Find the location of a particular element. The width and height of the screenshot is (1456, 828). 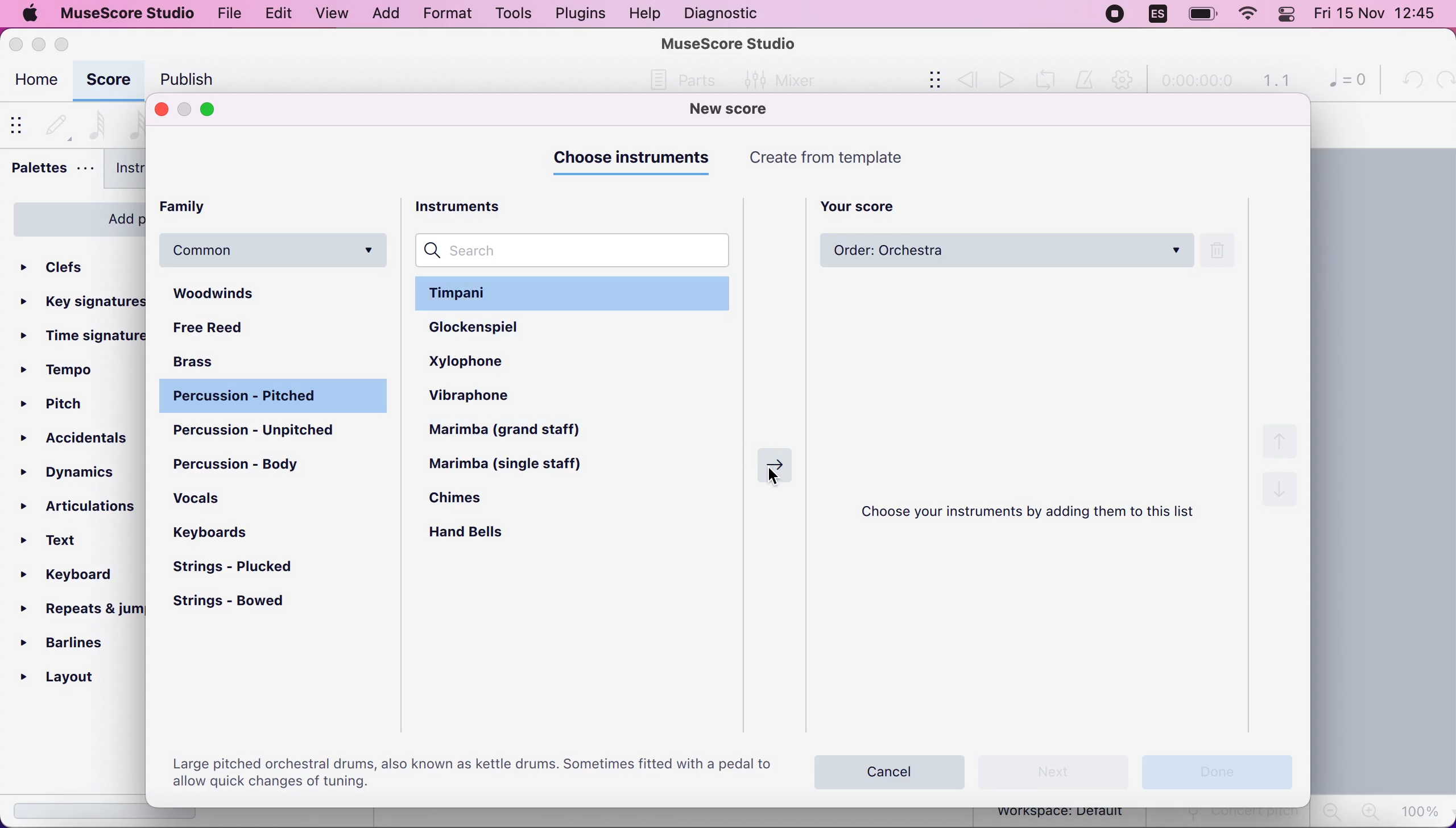

instruments is located at coordinates (473, 205).